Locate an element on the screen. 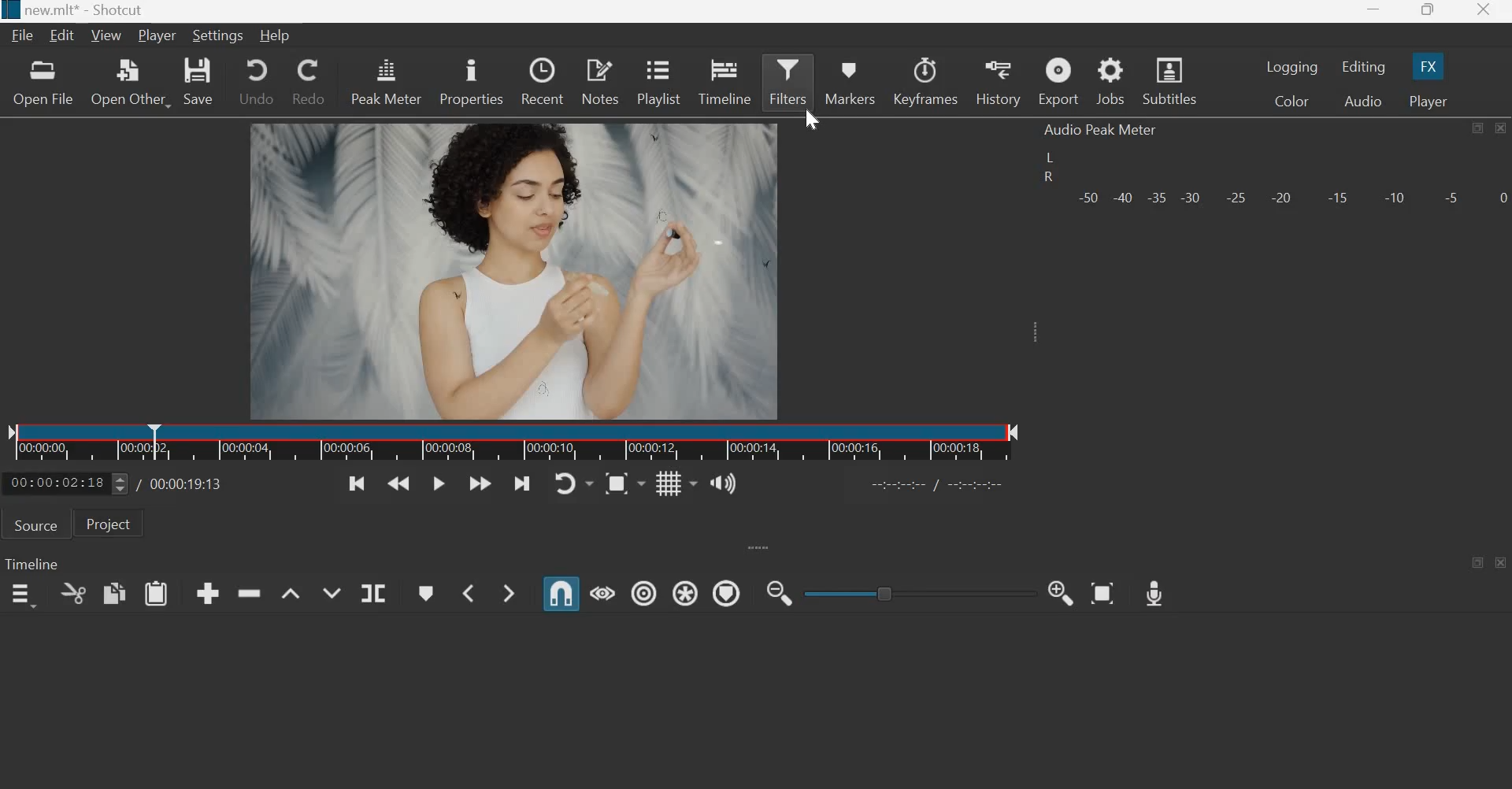  Create/edit marker is located at coordinates (424, 592).